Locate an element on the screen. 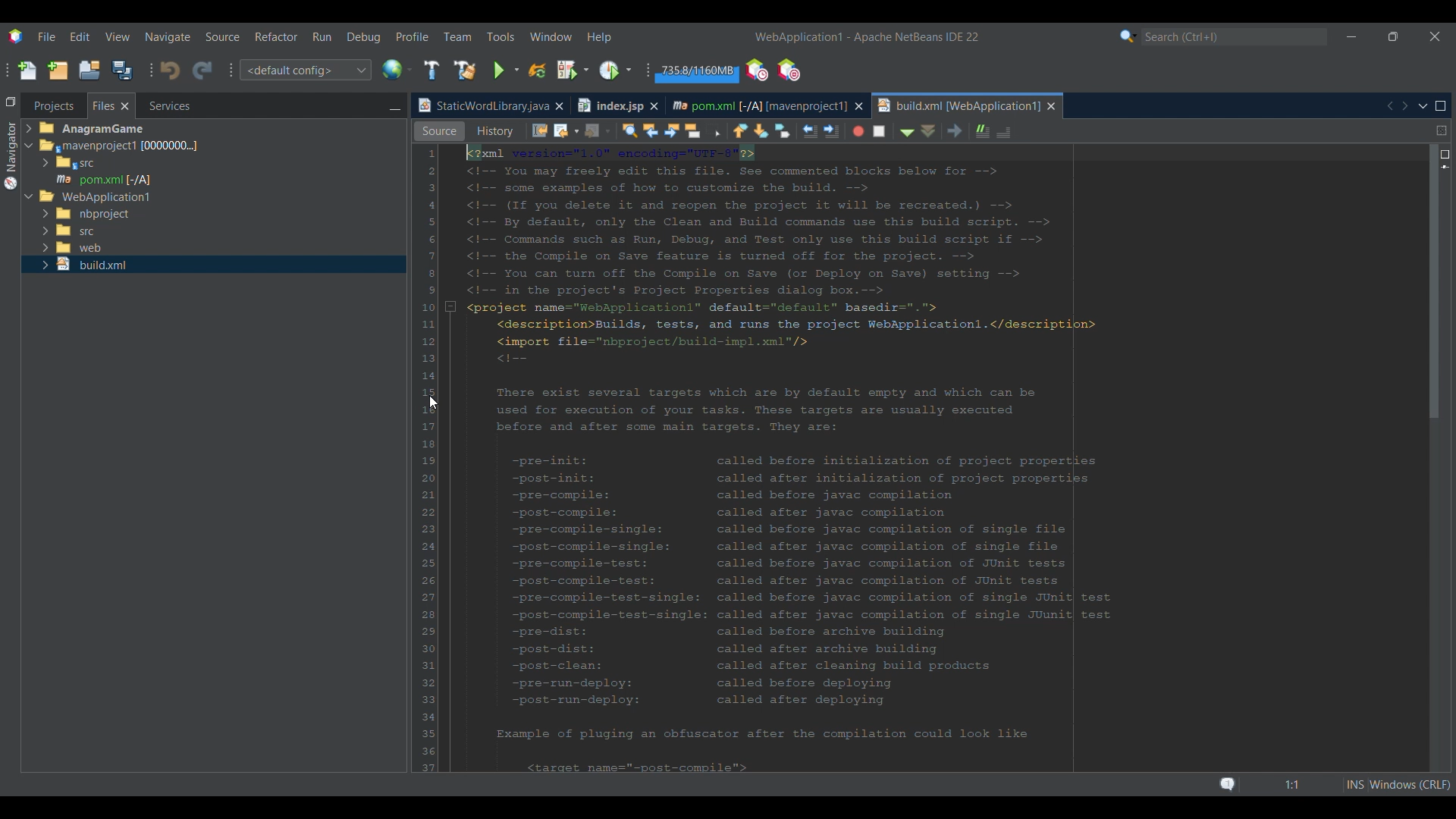 Image resolution: width=1456 pixels, height=819 pixels. Next bookmark is located at coordinates (899, 130).